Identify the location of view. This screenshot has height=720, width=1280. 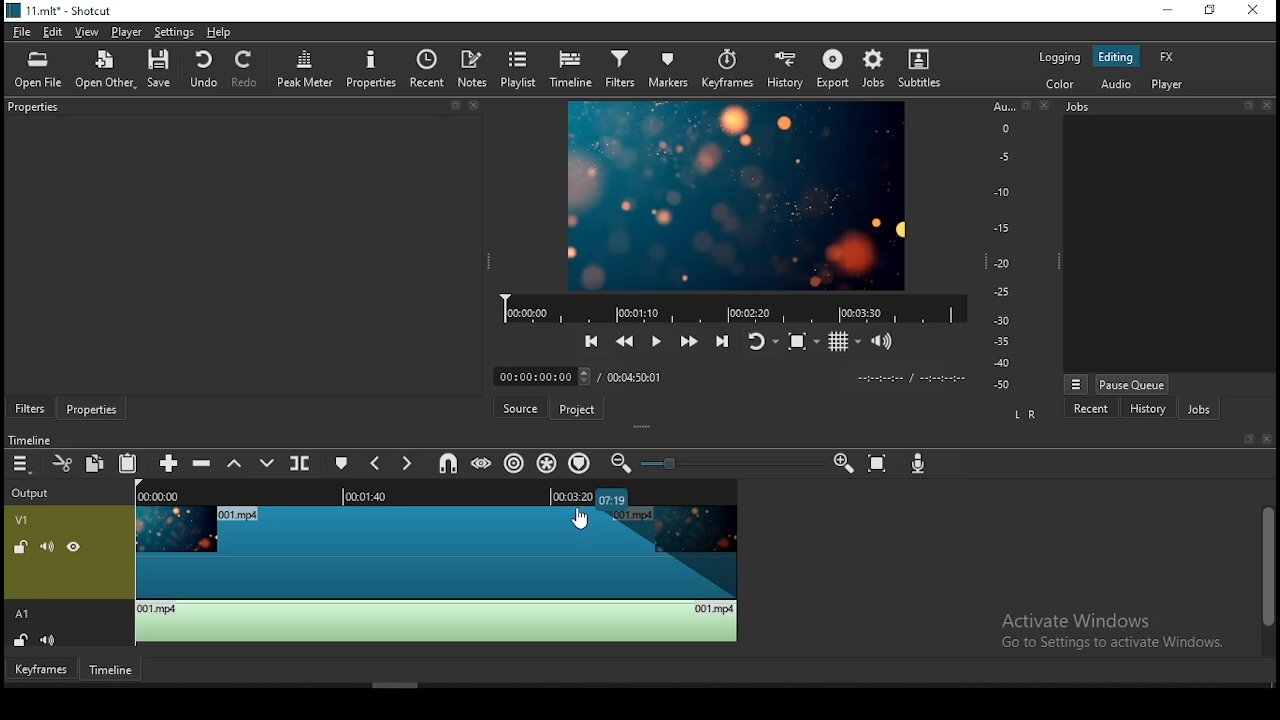
(90, 32).